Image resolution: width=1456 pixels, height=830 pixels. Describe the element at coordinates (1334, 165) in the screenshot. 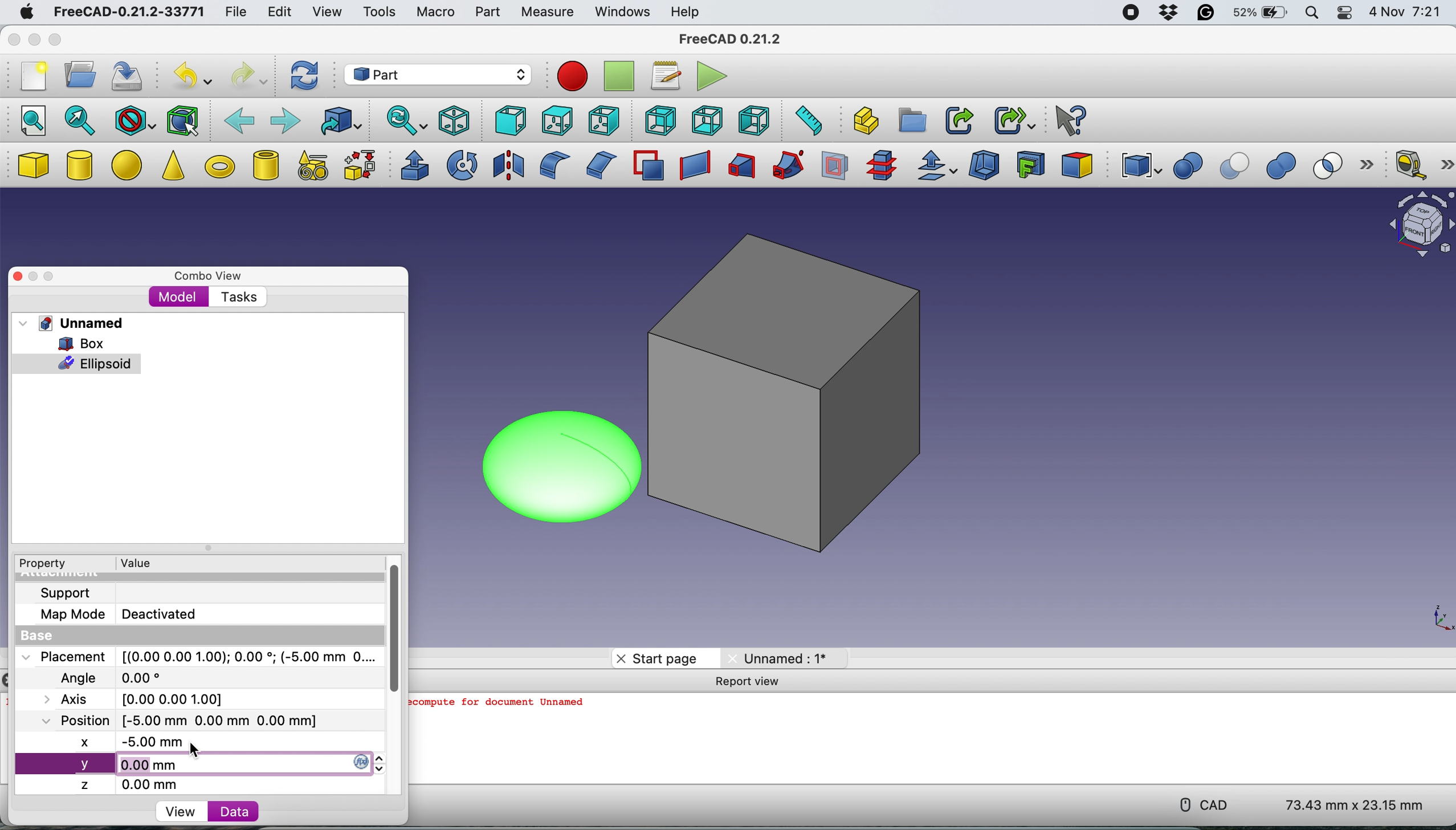

I see `intersection` at that location.